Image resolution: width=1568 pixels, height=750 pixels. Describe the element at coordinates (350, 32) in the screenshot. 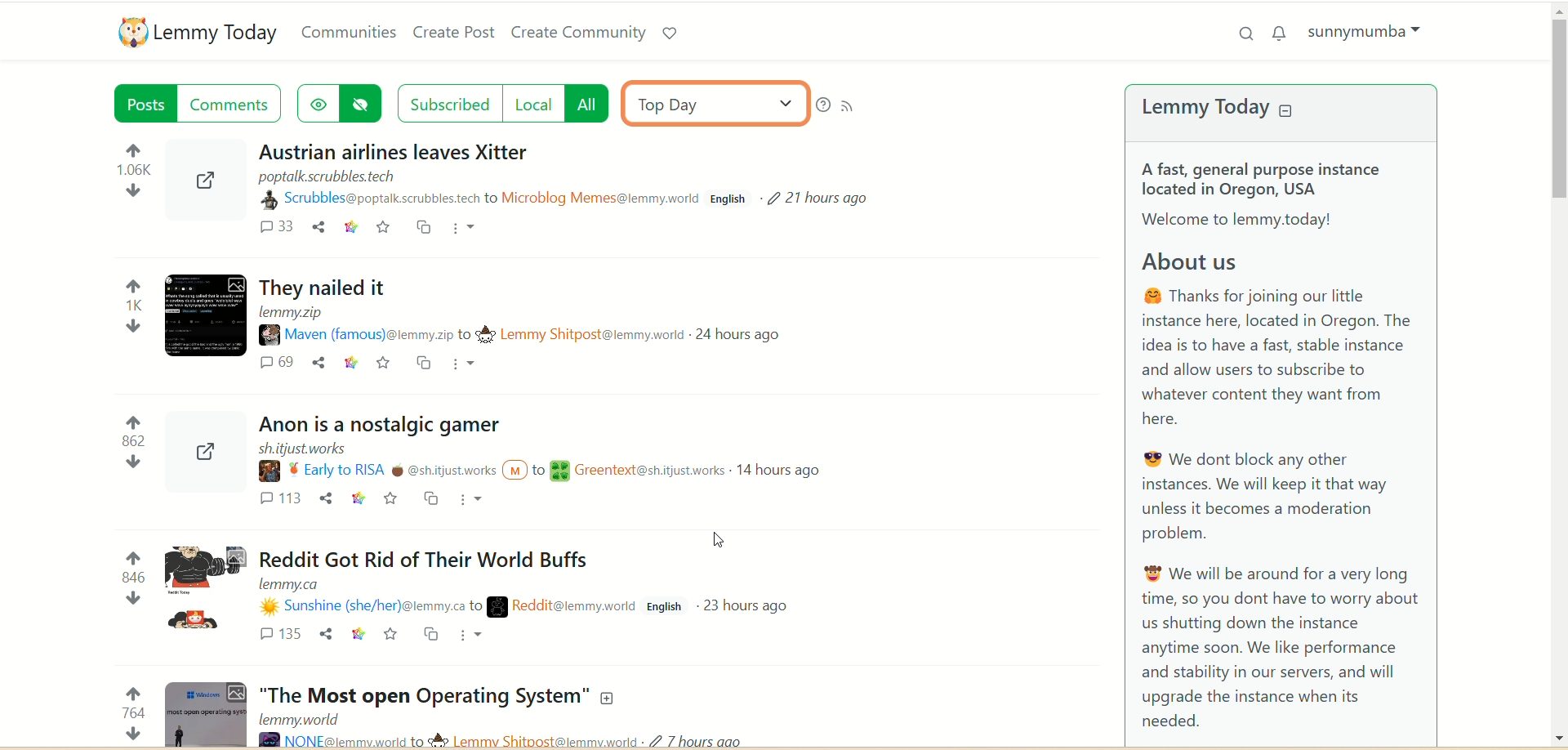

I see `communities` at that location.